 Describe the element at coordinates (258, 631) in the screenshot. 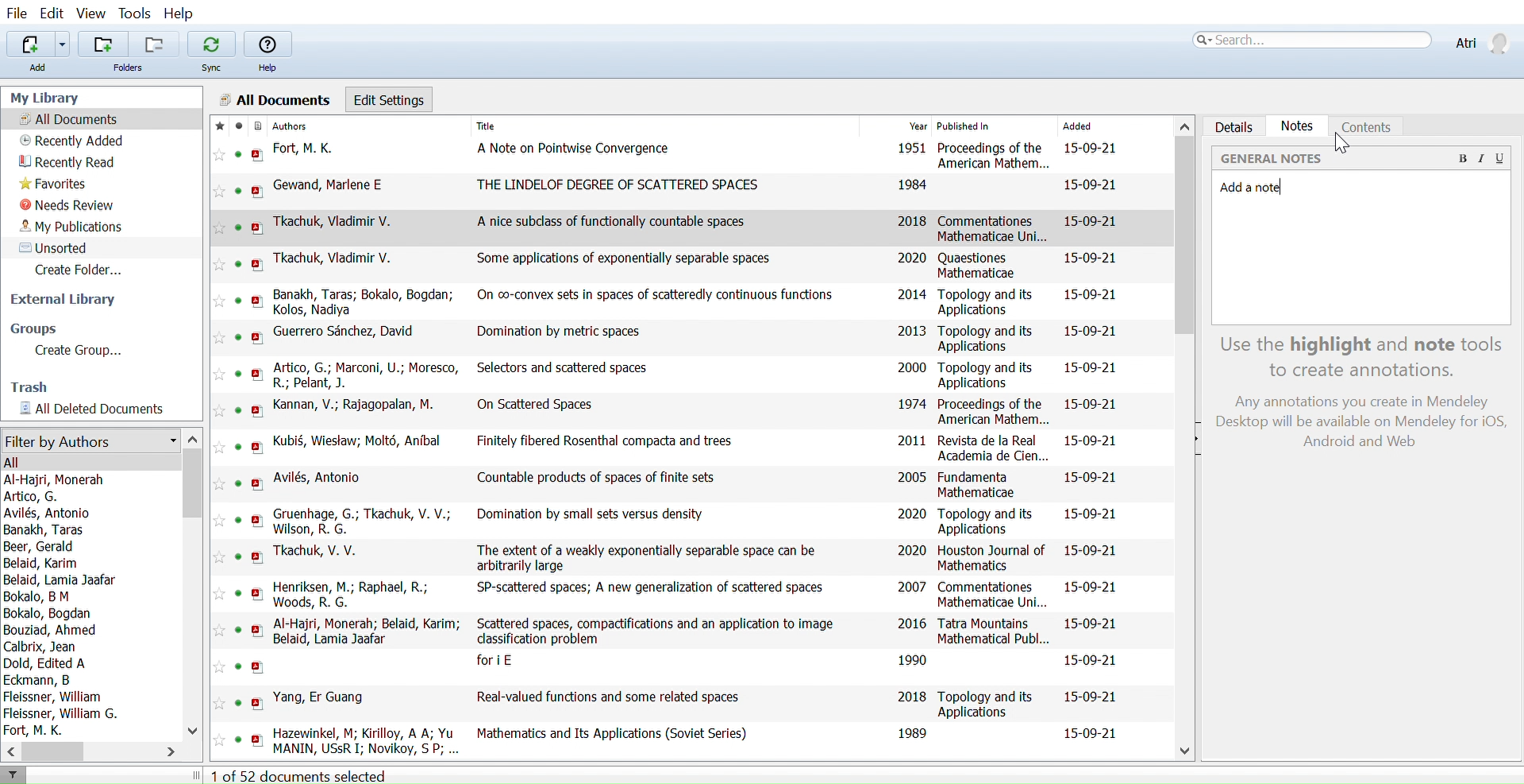

I see `open PDF` at that location.